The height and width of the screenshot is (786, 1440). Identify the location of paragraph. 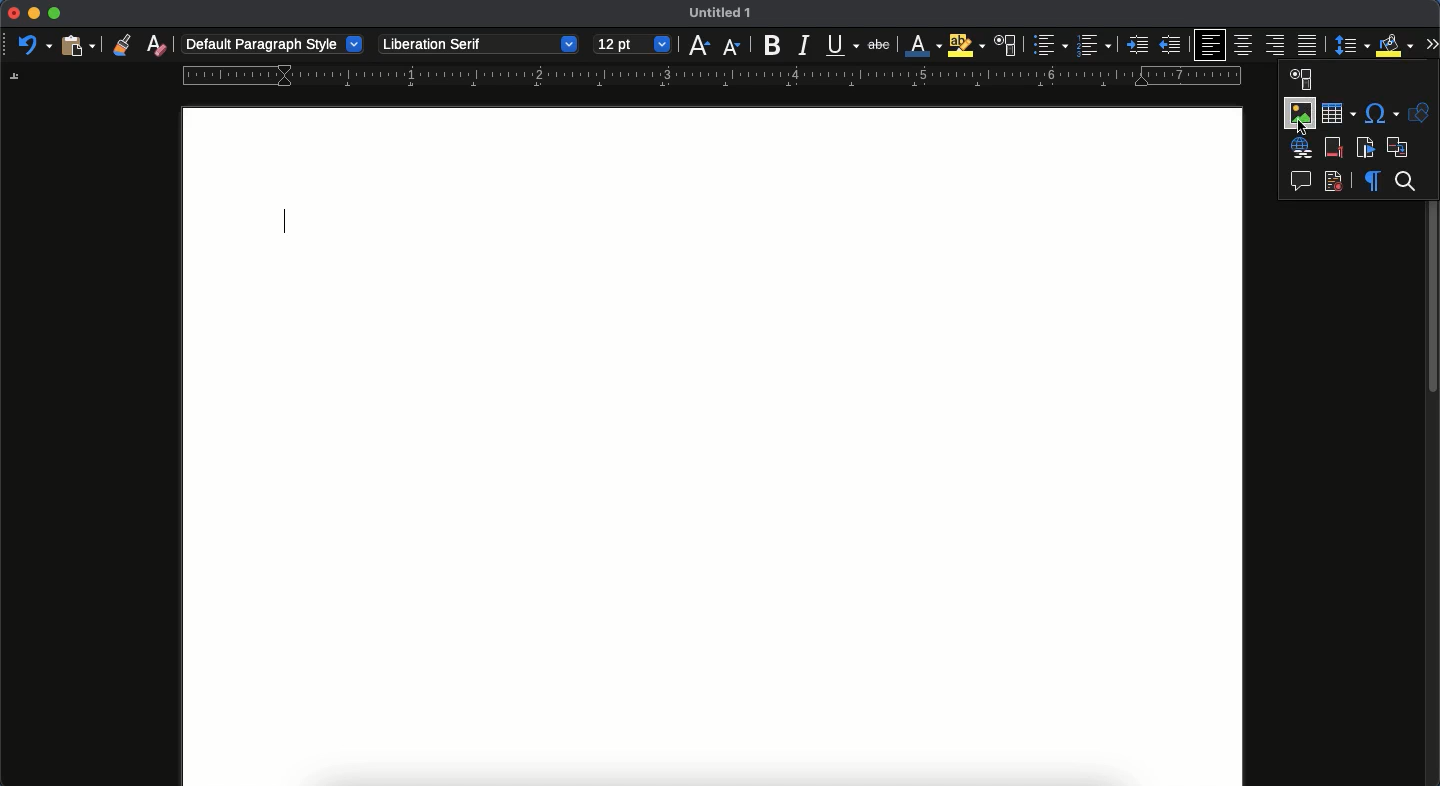
(1300, 78).